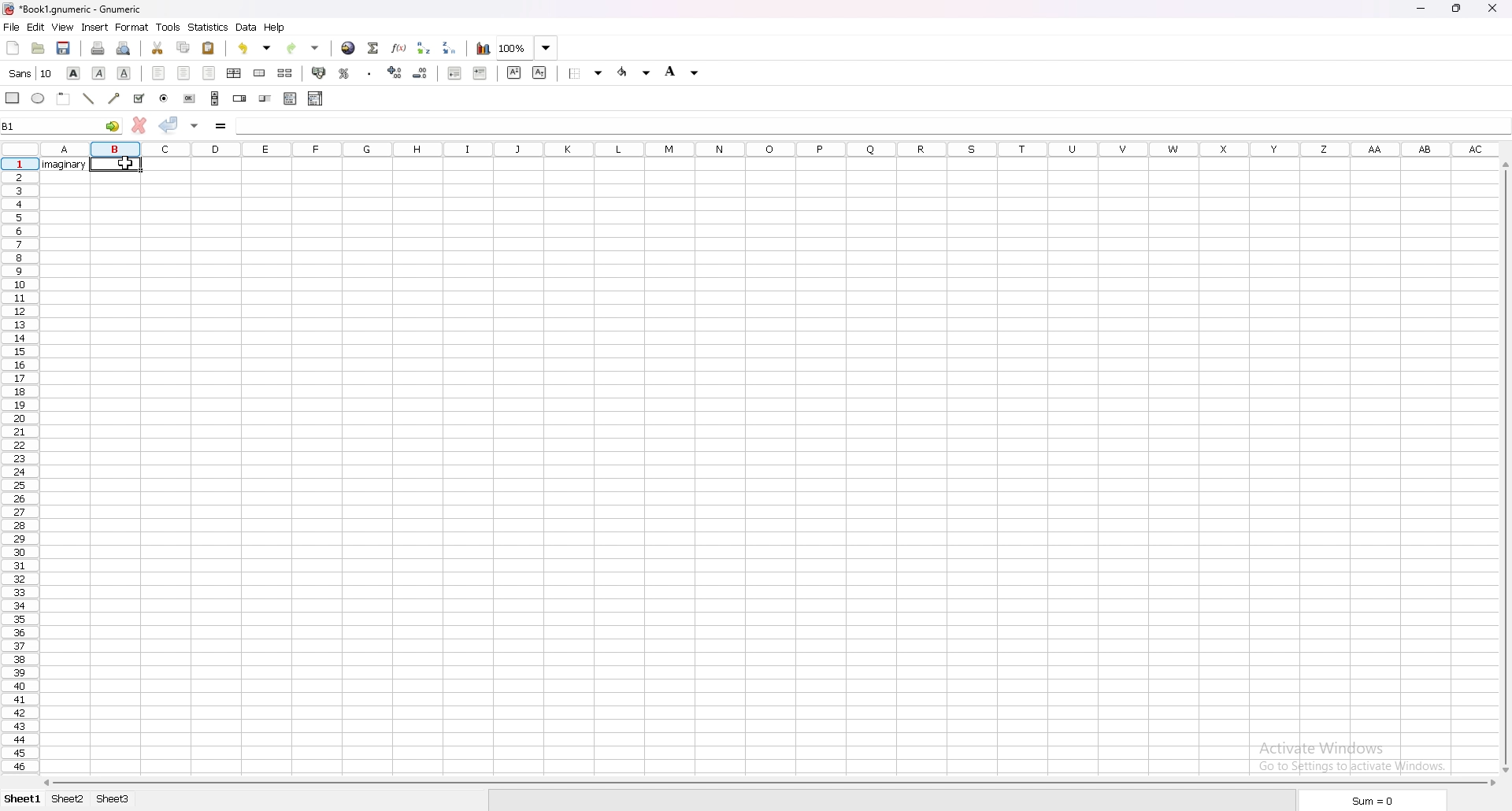 The width and height of the screenshot is (1512, 811). Describe the element at coordinates (17, 480) in the screenshot. I see `Coloumn` at that location.